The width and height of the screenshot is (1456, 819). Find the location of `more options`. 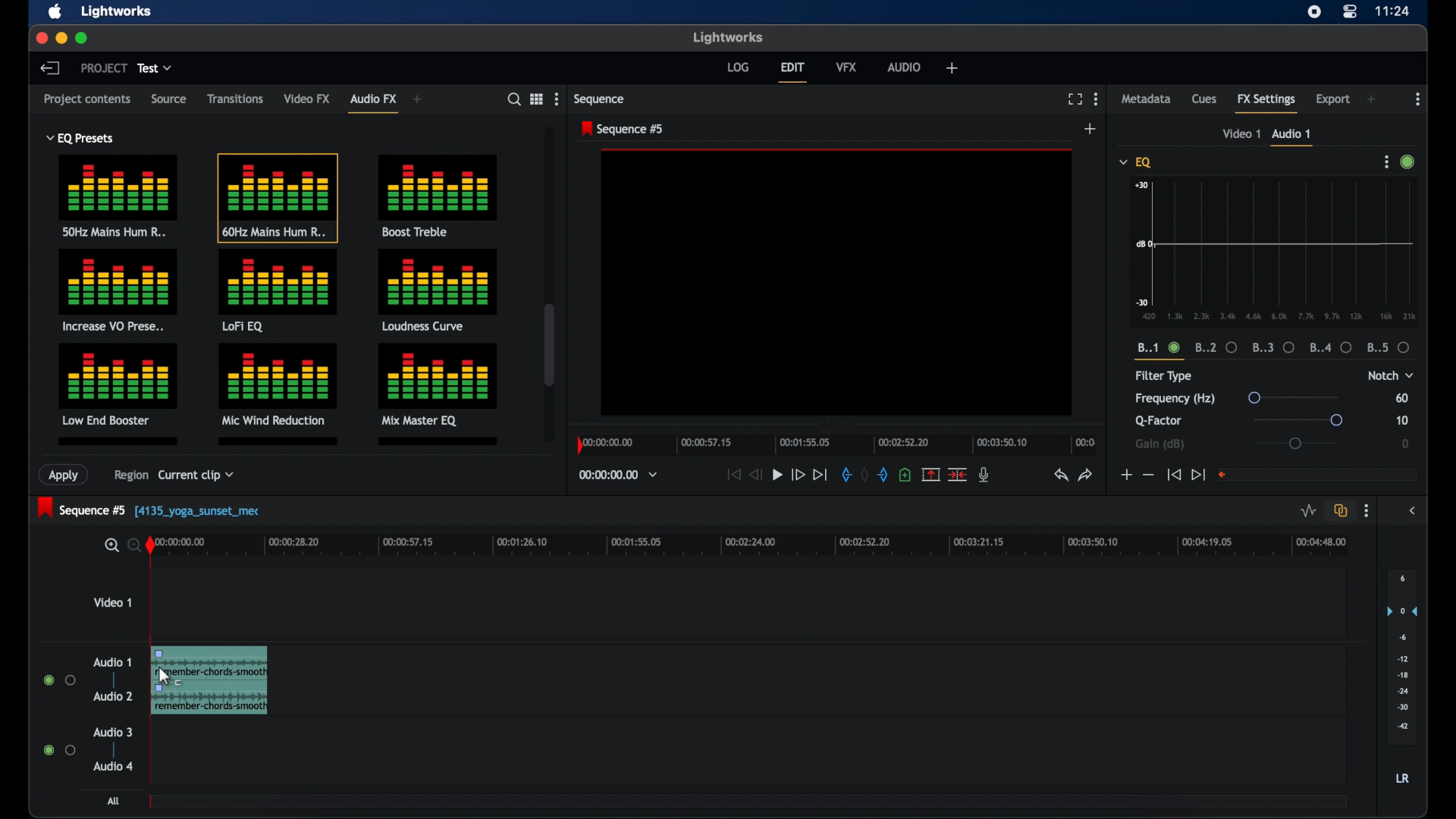

more options is located at coordinates (556, 99).